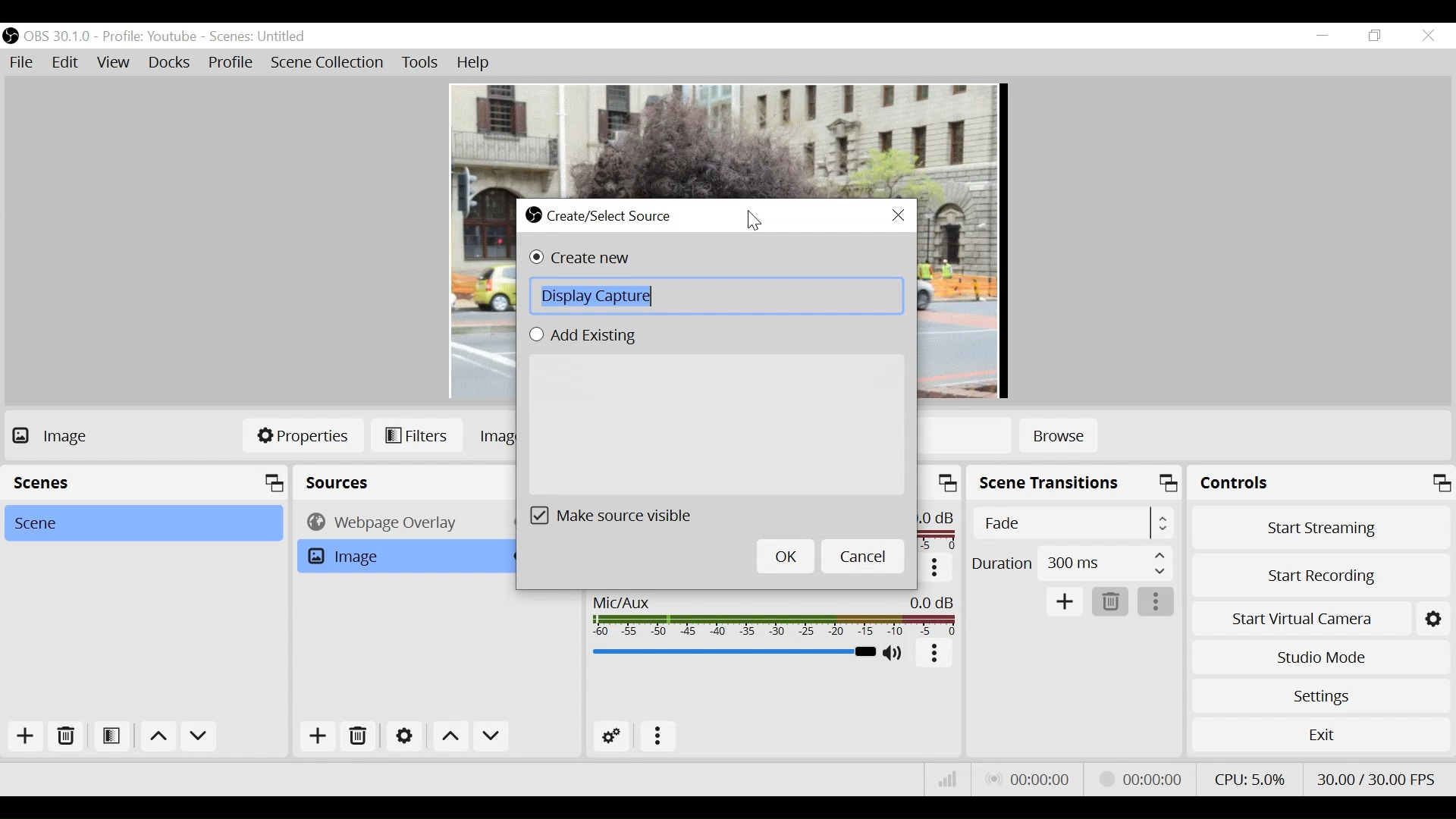 This screenshot has height=819, width=1456. I want to click on Filters, so click(417, 436).